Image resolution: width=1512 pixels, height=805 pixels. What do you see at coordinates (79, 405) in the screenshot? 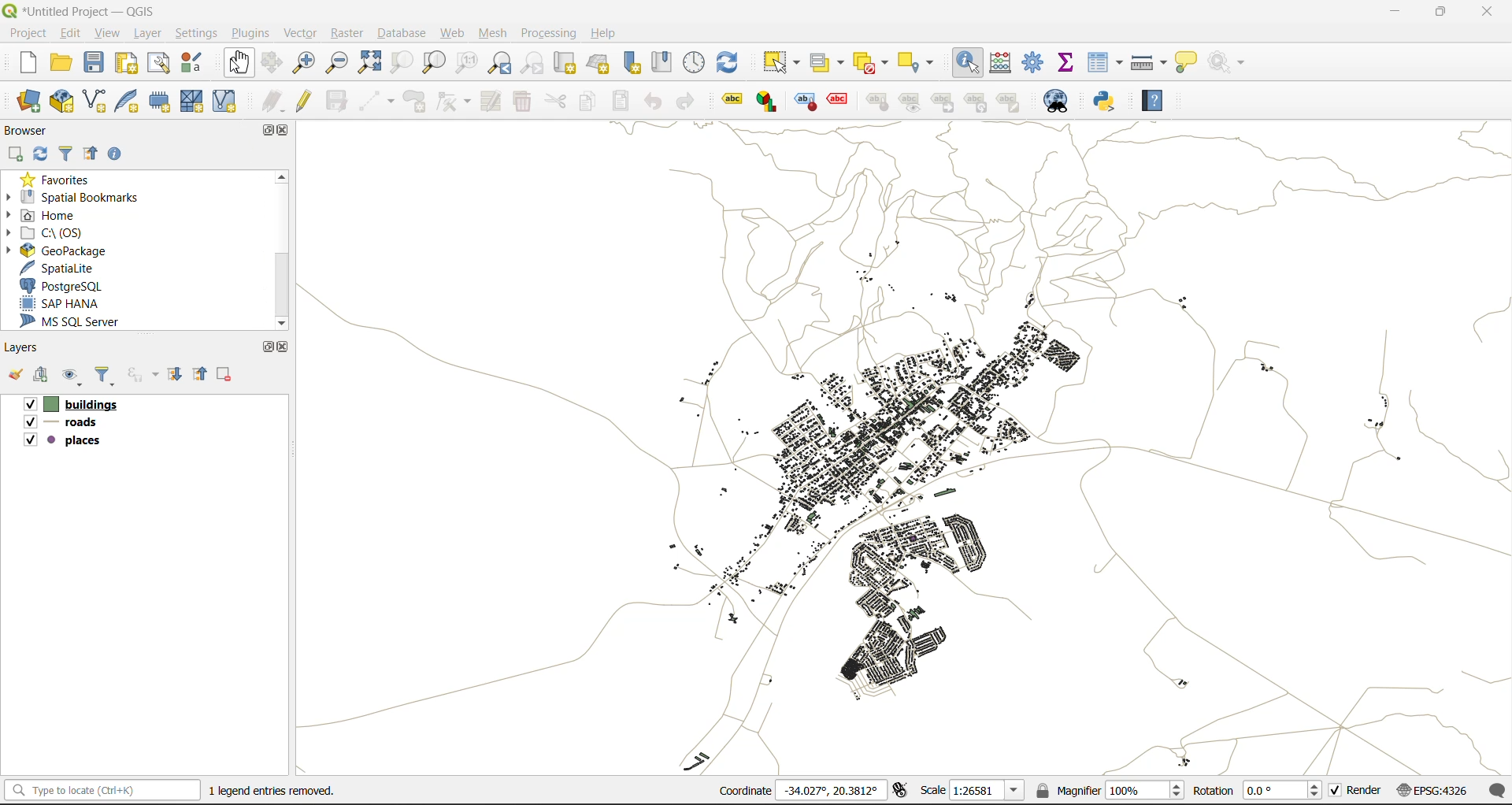
I see `buildings` at bounding box center [79, 405].